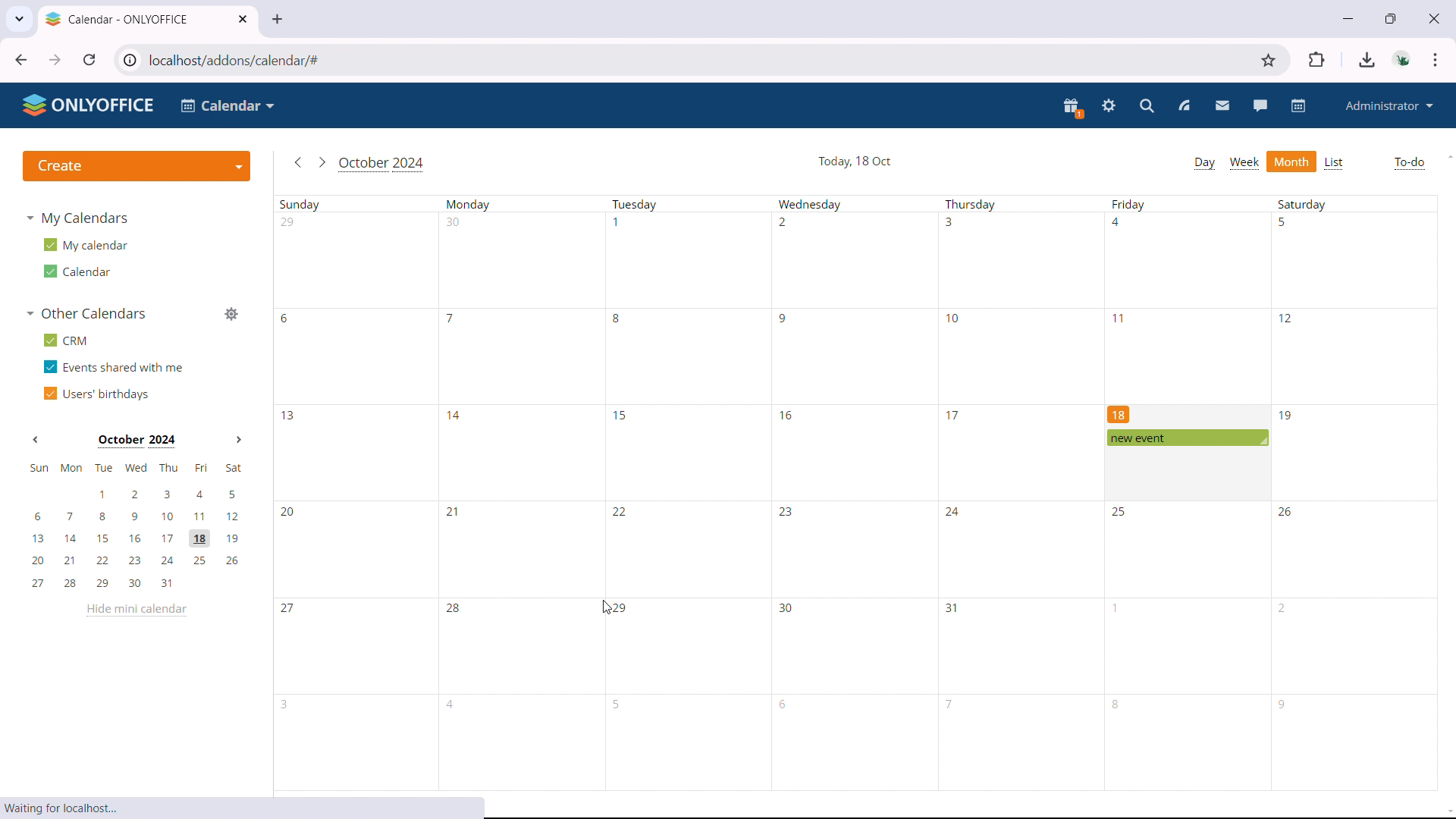  I want to click on Monday, so click(469, 205).